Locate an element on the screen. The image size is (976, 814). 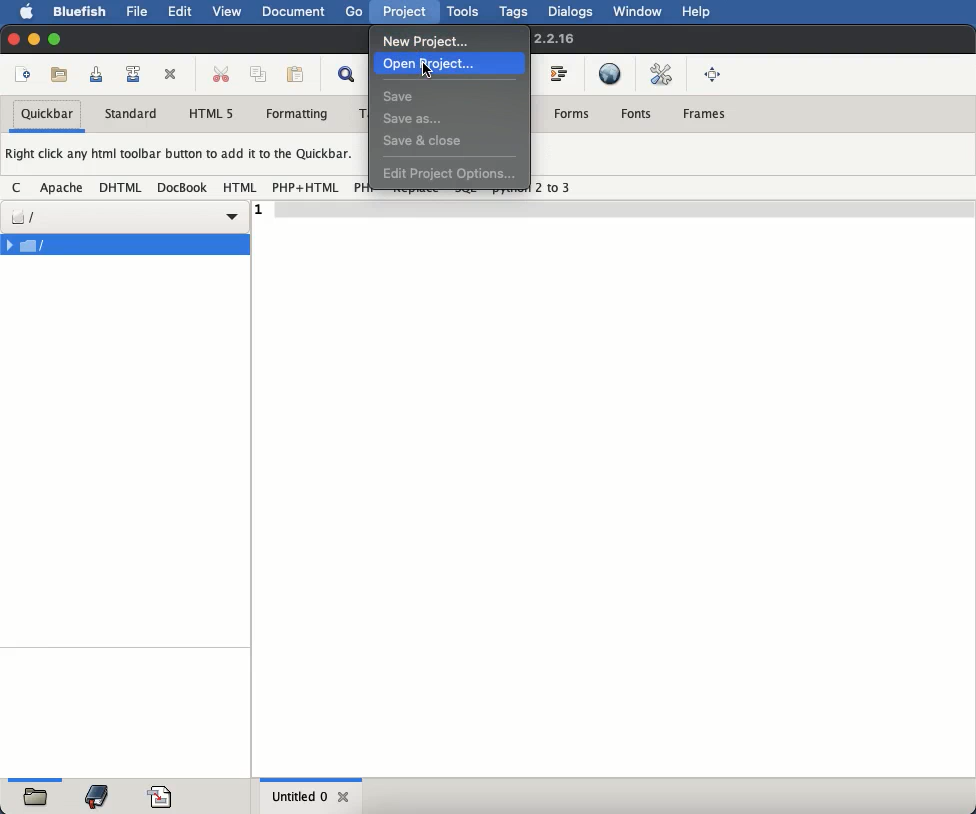
T is located at coordinates (362, 109).